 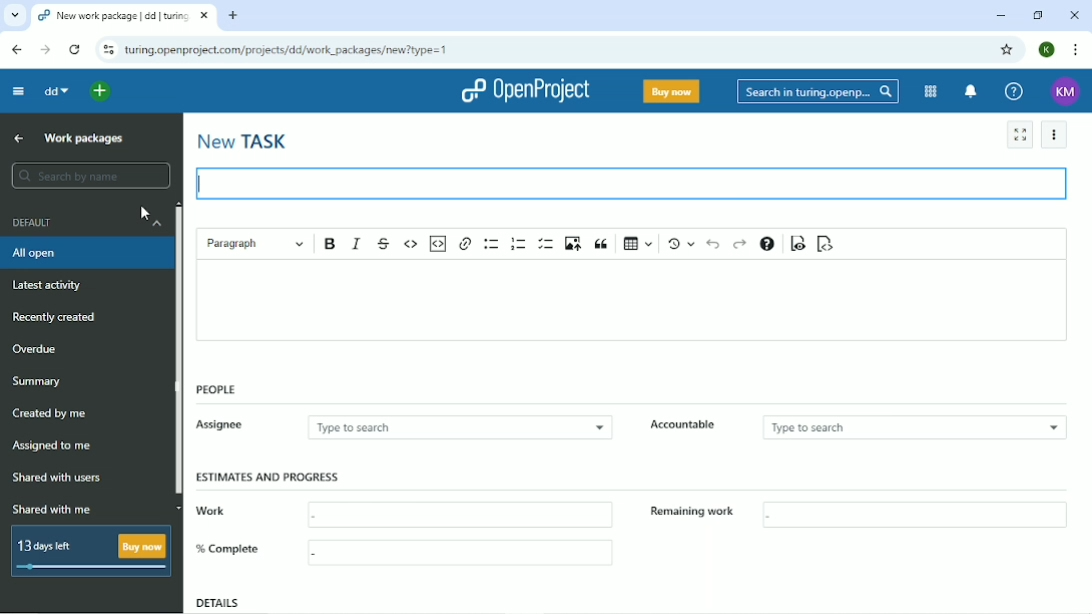 I want to click on Shared with users, so click(x=60, y=477).